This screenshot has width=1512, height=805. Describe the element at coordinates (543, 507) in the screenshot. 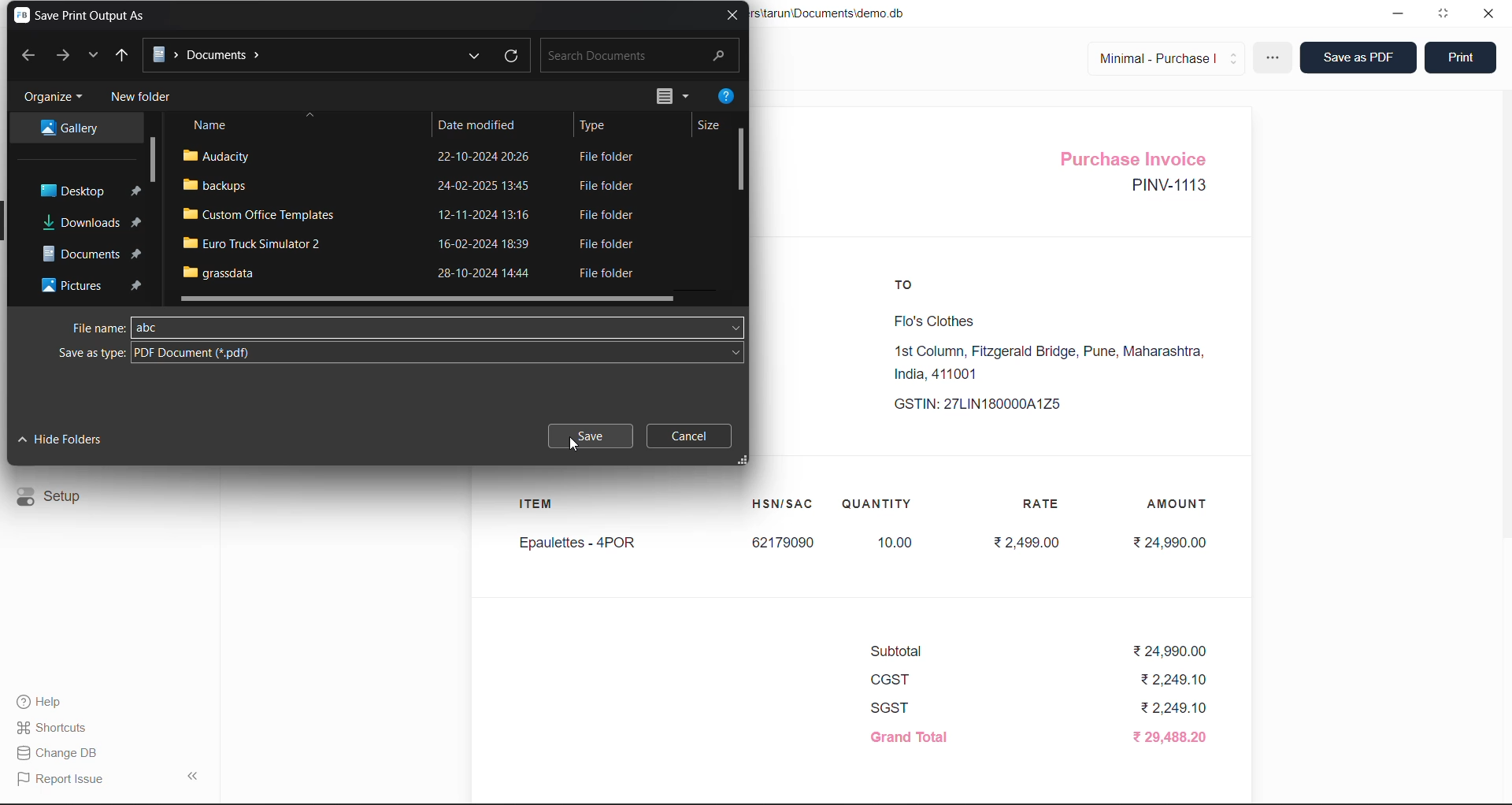

I see `ITEM` at that location.